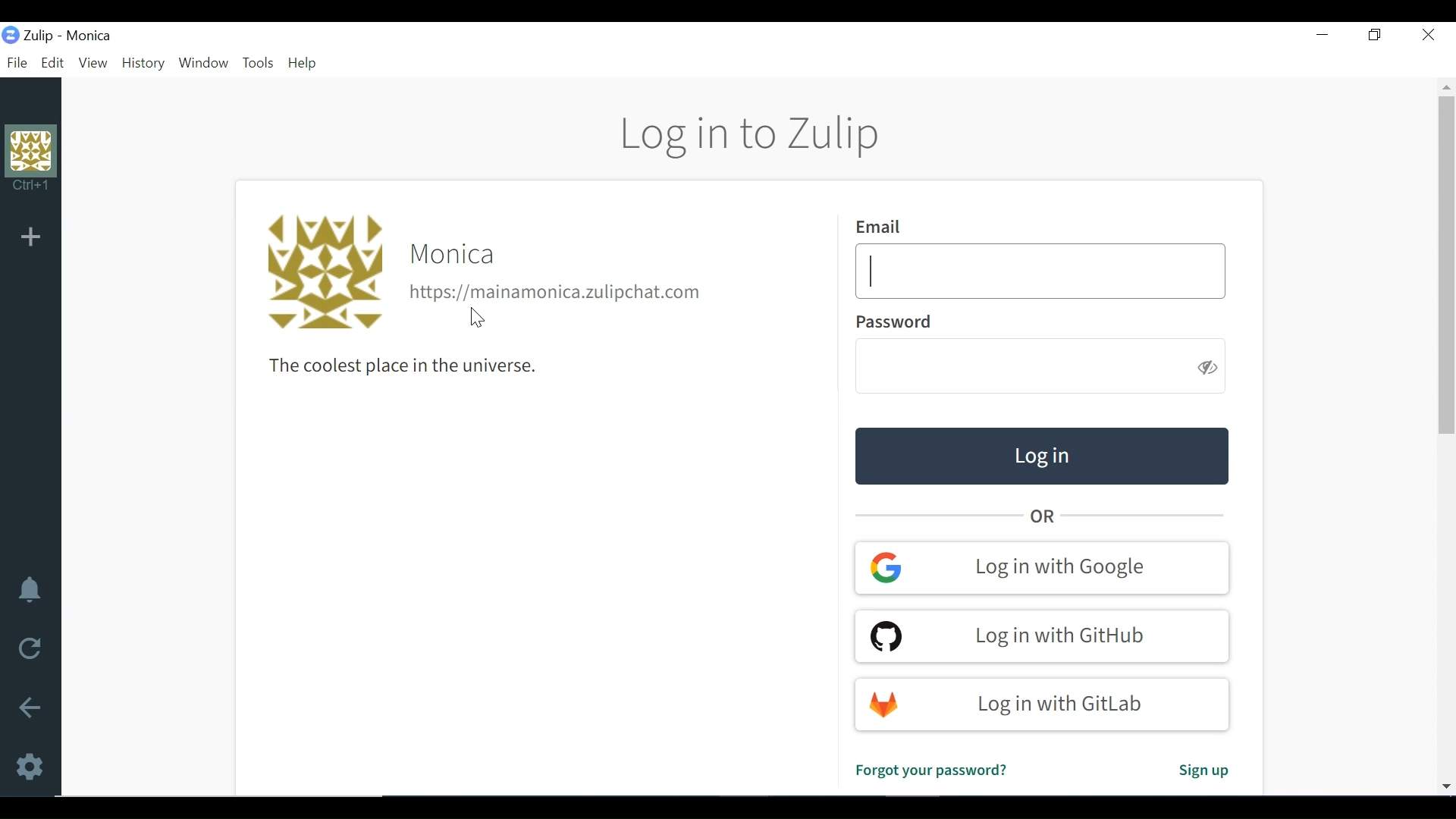 This screenshot has width=1456, height=819. Describe the element at coordinates (54, 63) in the screenshot. I see `Edit` at that location.